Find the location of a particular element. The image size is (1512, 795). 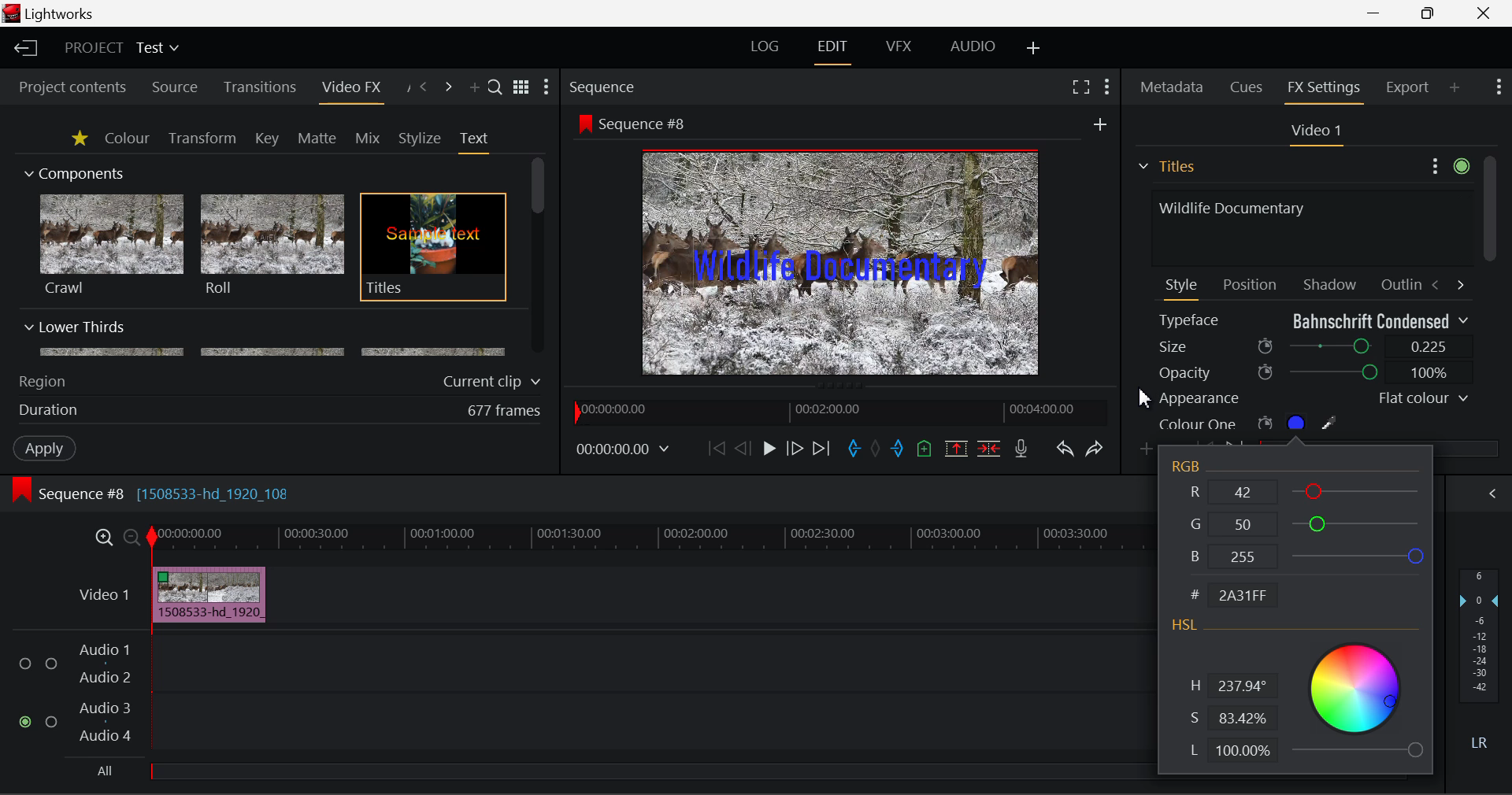

Titles is located at coordinates (433, 248).